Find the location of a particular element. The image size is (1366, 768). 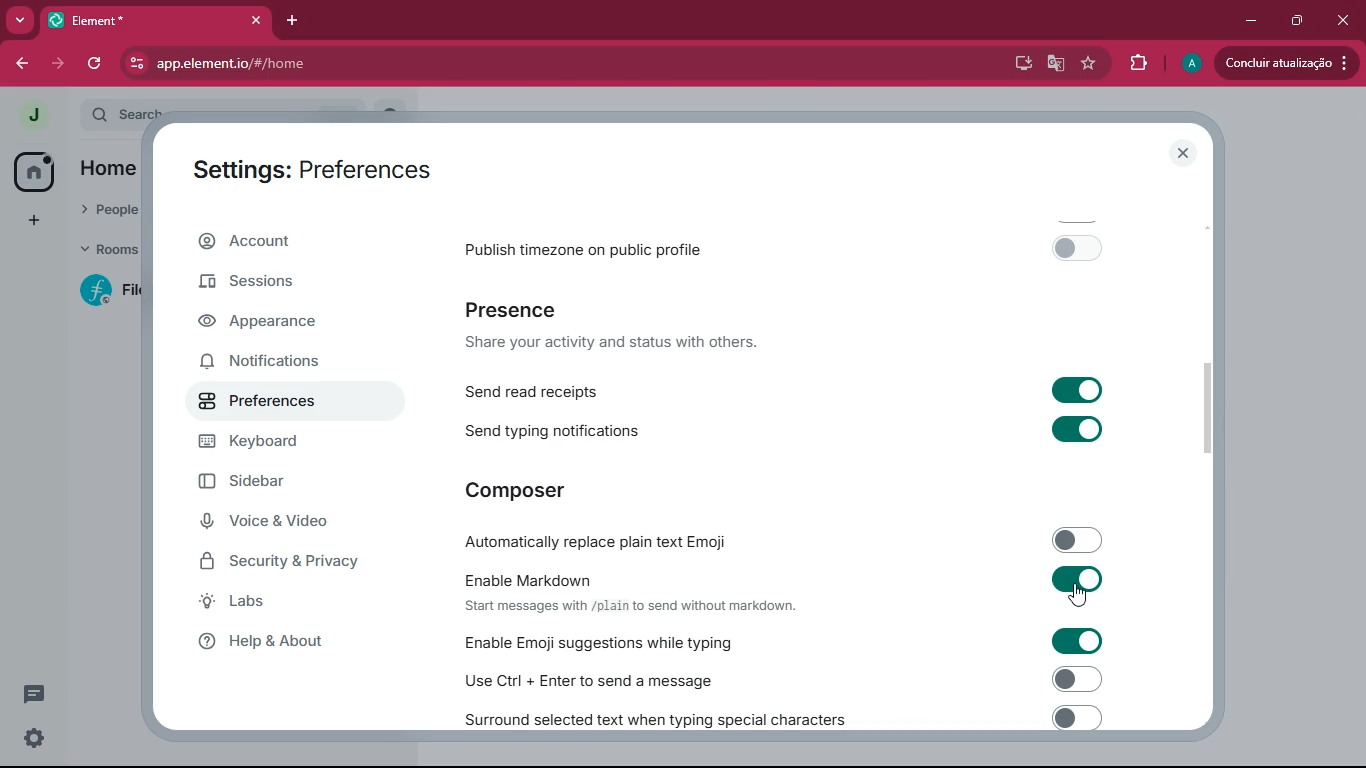

google translate is located at coordinates (1056, 65).